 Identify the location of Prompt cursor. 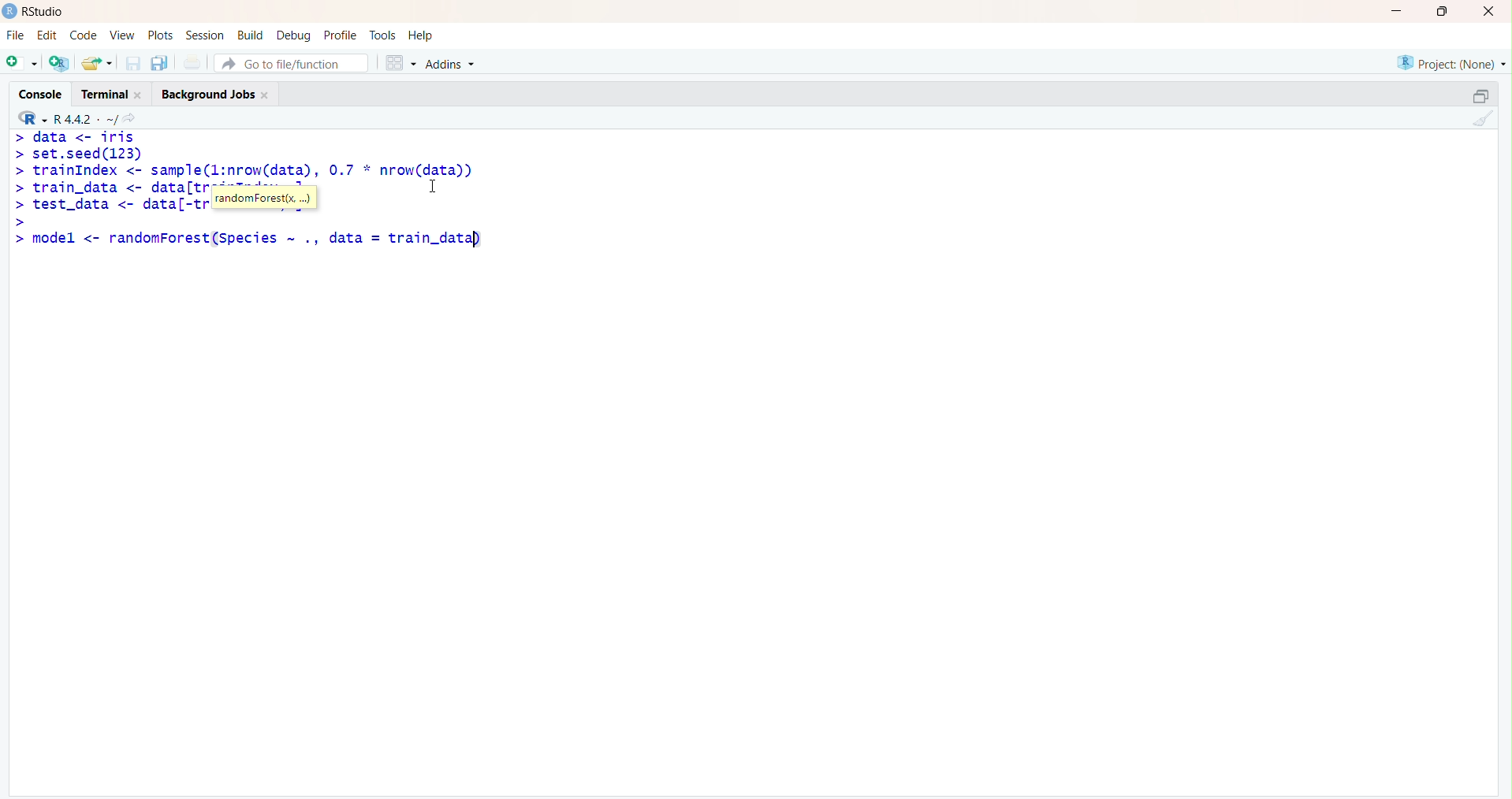
(18, 137).